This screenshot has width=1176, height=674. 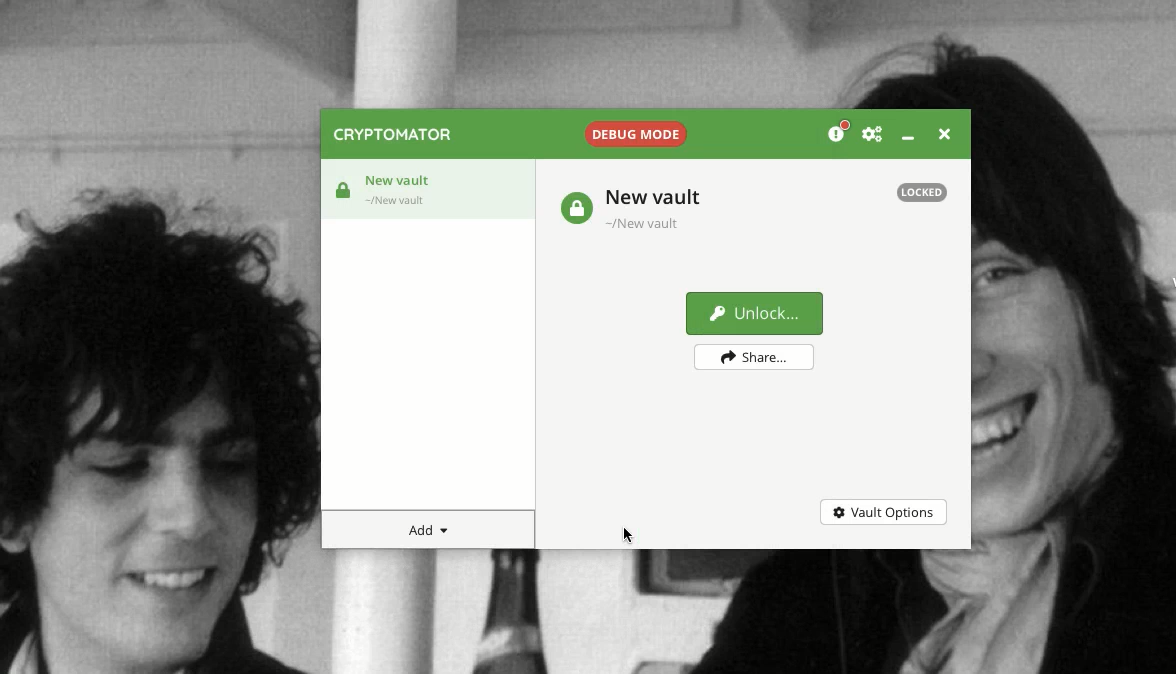 What do you see at coordinates (923, 193) in the screenshot?
I see `Locked` at bounding box center [923, 193].